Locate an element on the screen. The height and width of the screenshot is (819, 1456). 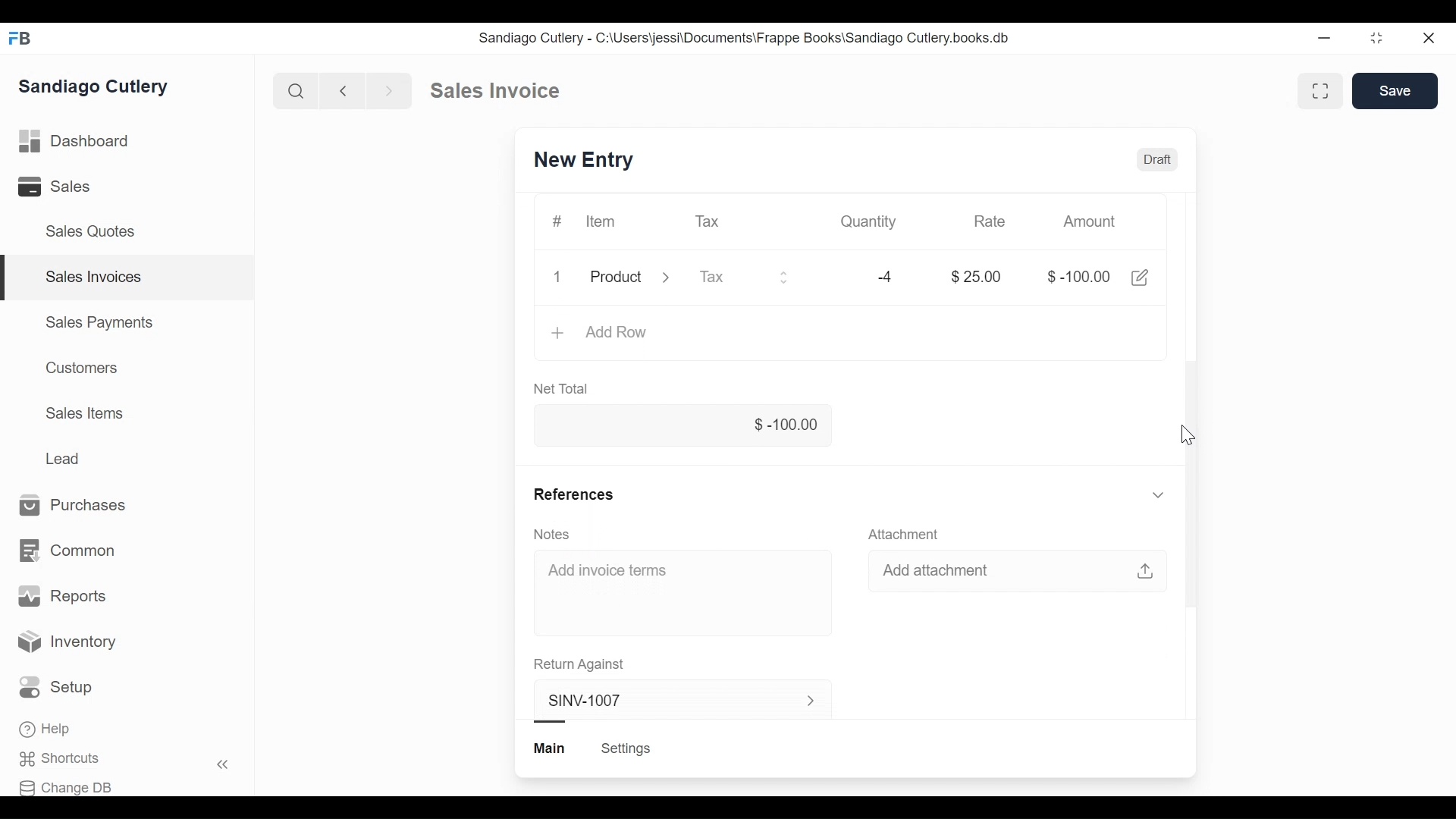
# is located at coordinates (556, 221).